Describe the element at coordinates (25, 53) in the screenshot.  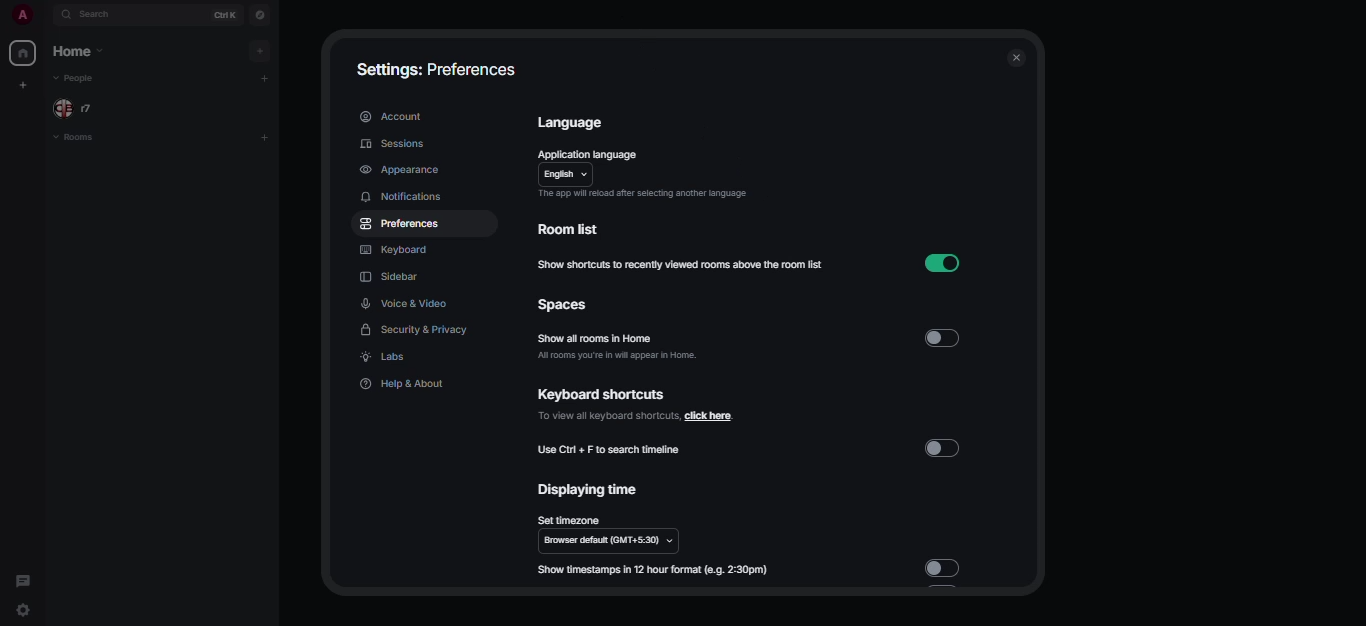
I see `home` at that location.